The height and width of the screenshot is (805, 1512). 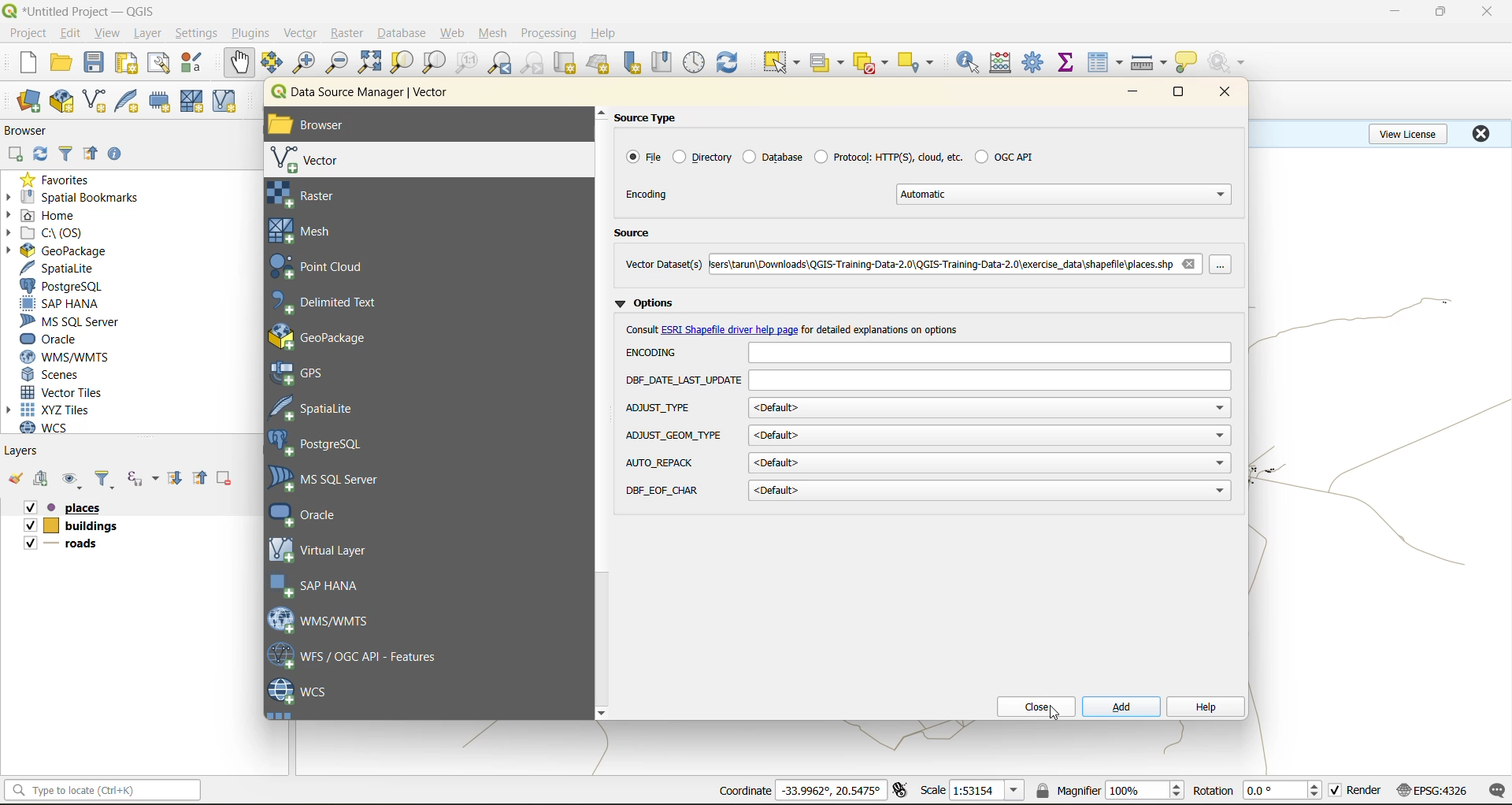 I want to click on zoom full, so click(x=369, y=62).